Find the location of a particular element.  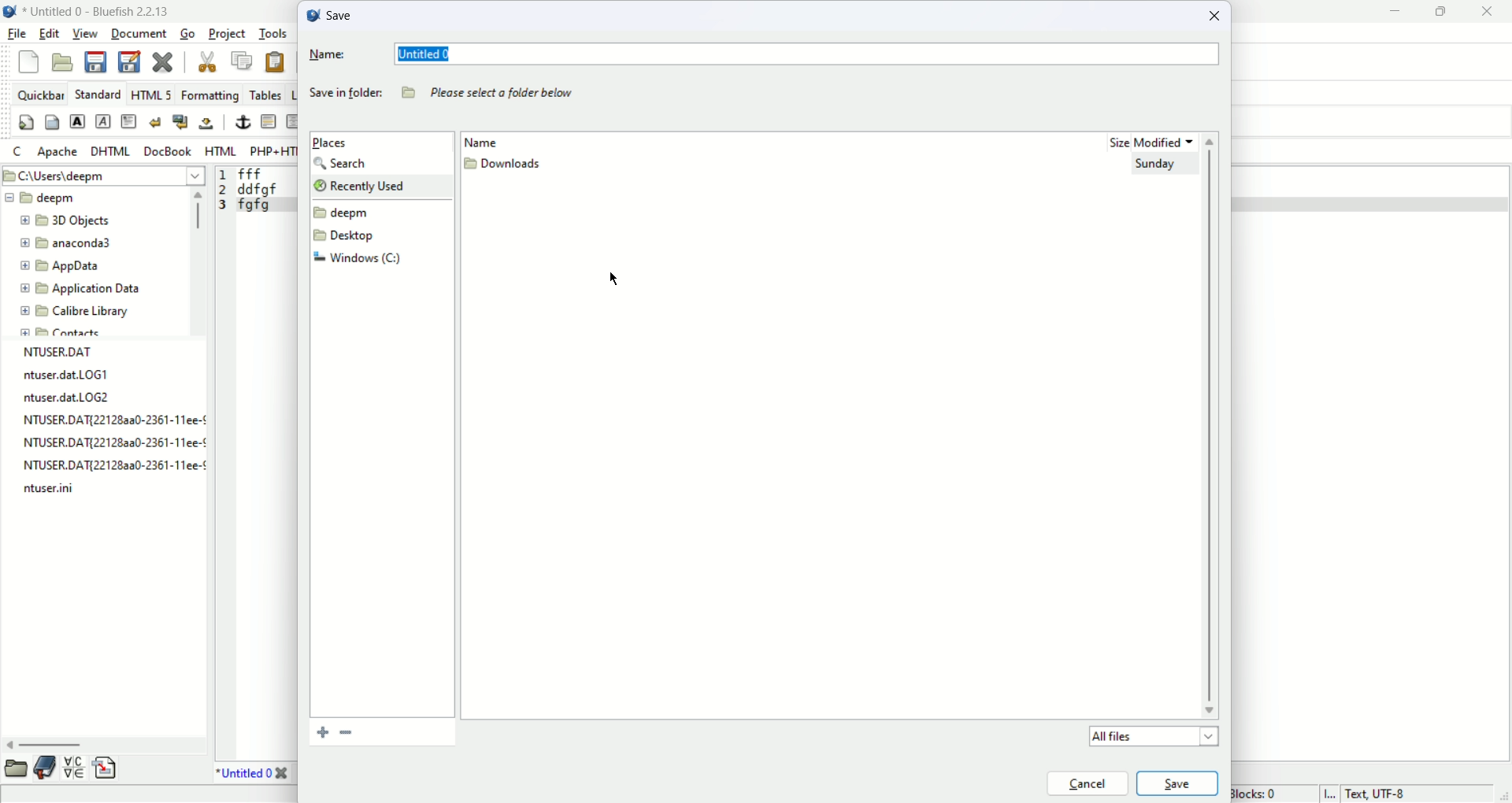

anchor is located at coordinates (240, 124).